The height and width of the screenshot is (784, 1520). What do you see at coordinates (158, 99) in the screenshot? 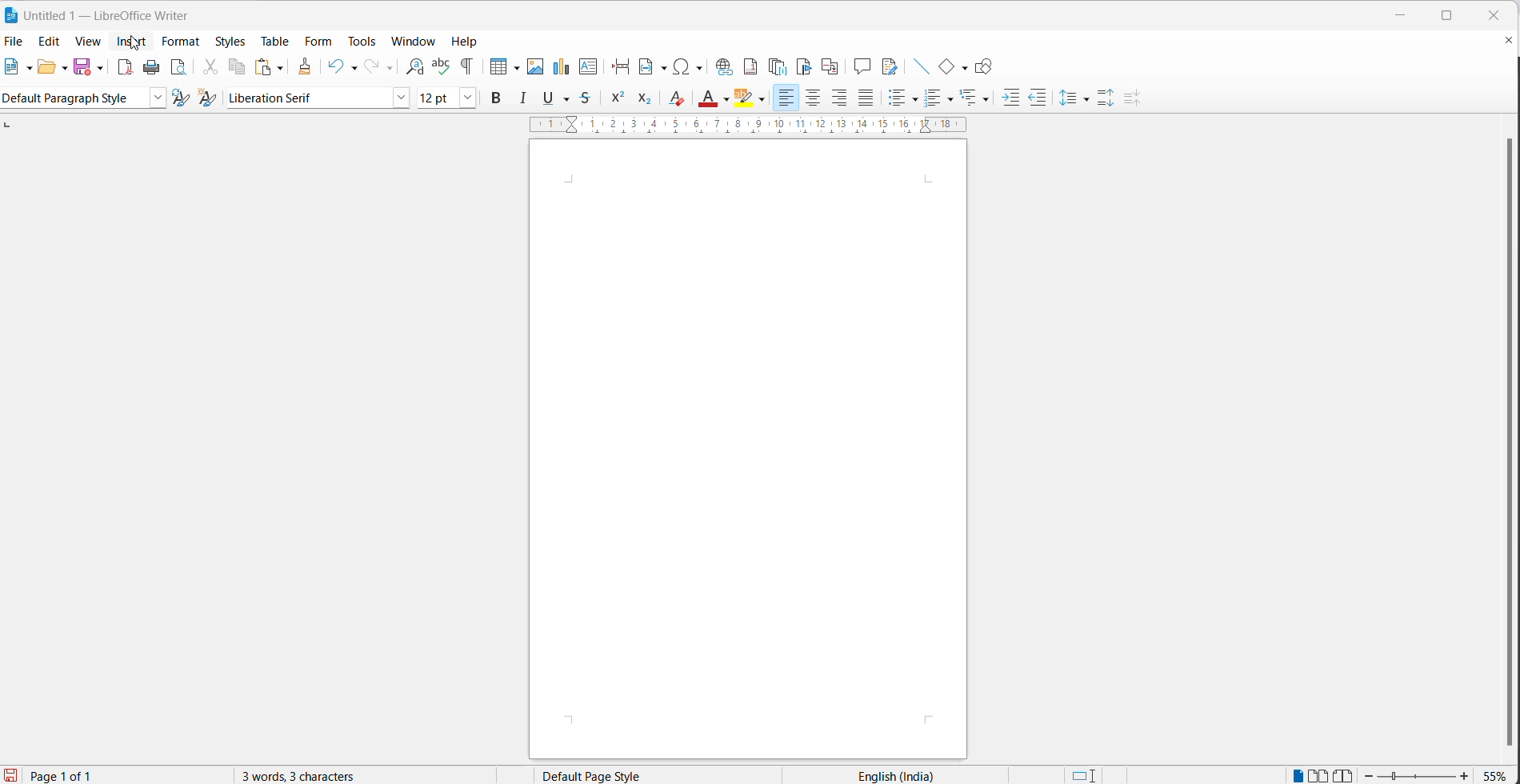
I see `style options` at bounding box center [158, 99].